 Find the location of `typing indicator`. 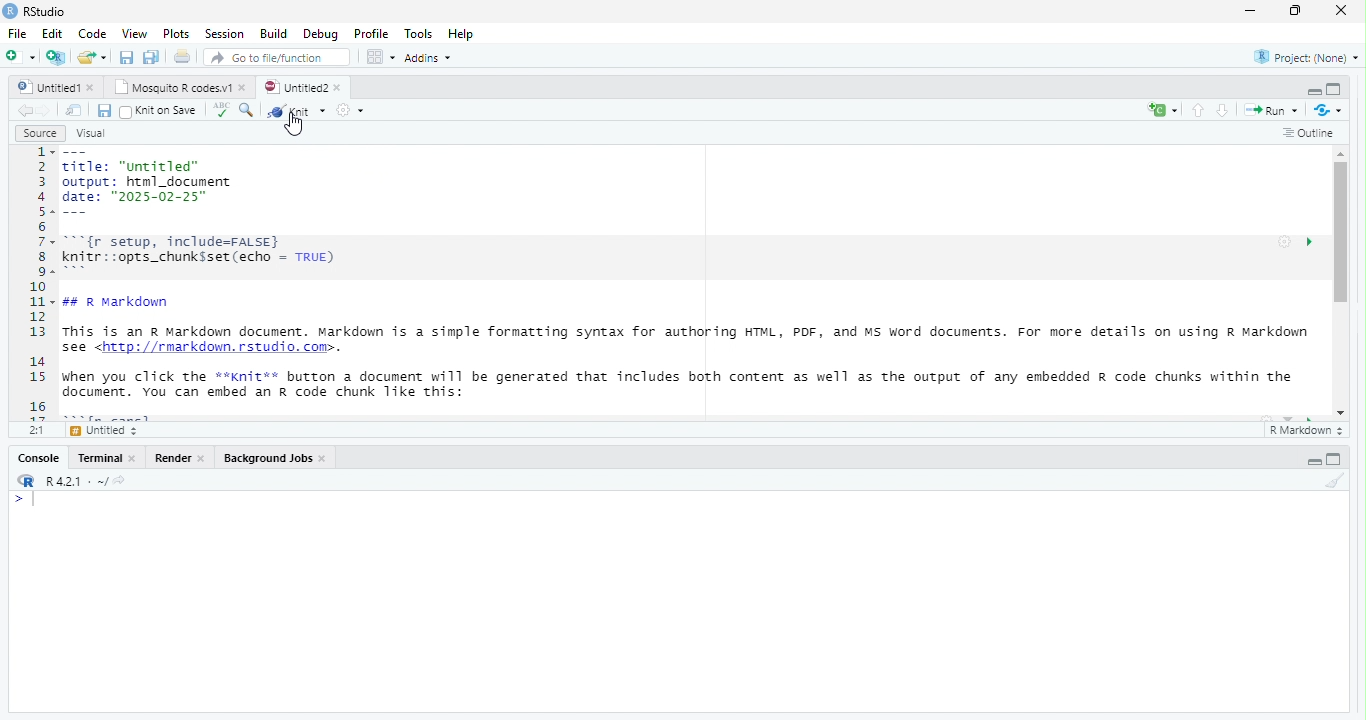

typing indicator is located at coordinates (35, 500).